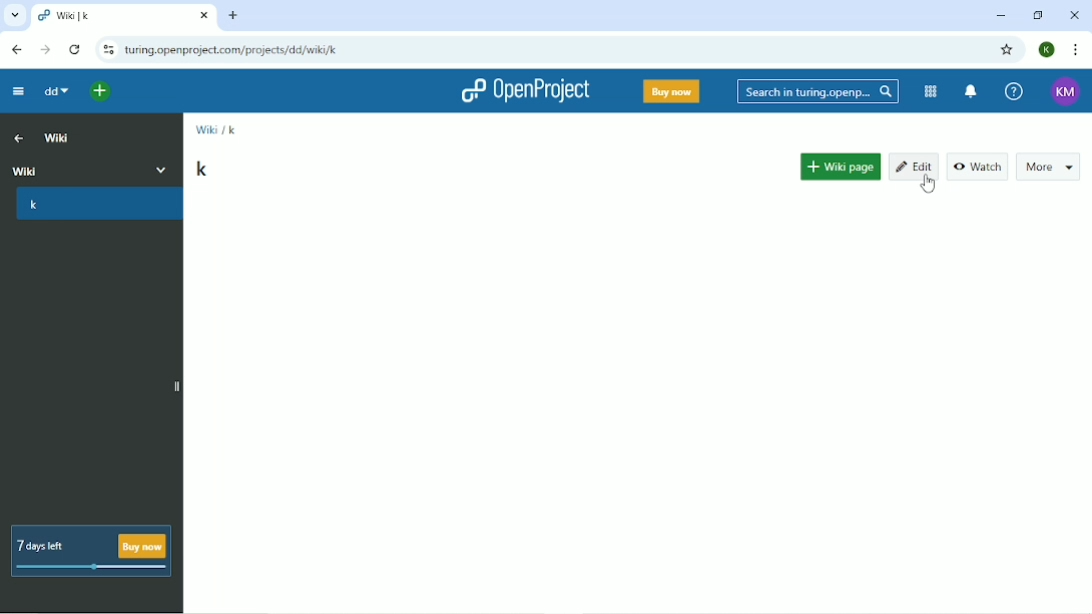  What do you see at coordinates (74, 50) in the screenshot?
I see `Reload this page` at bounding box center [74, 50].